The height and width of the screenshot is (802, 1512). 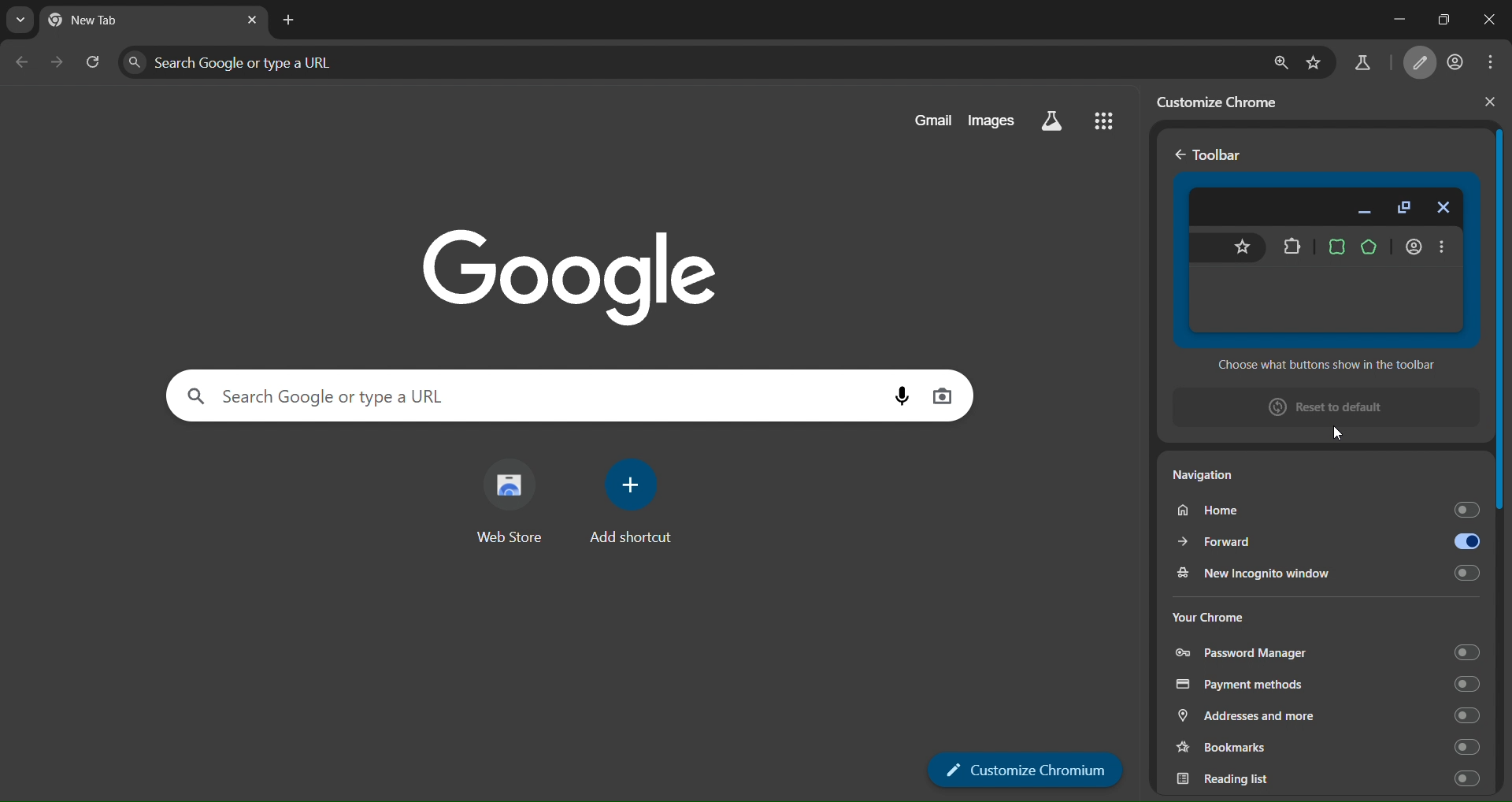 What do you see at coordinates (1455, 64) in the screenshot?
I see `account` at bounding box center [1455, 64].